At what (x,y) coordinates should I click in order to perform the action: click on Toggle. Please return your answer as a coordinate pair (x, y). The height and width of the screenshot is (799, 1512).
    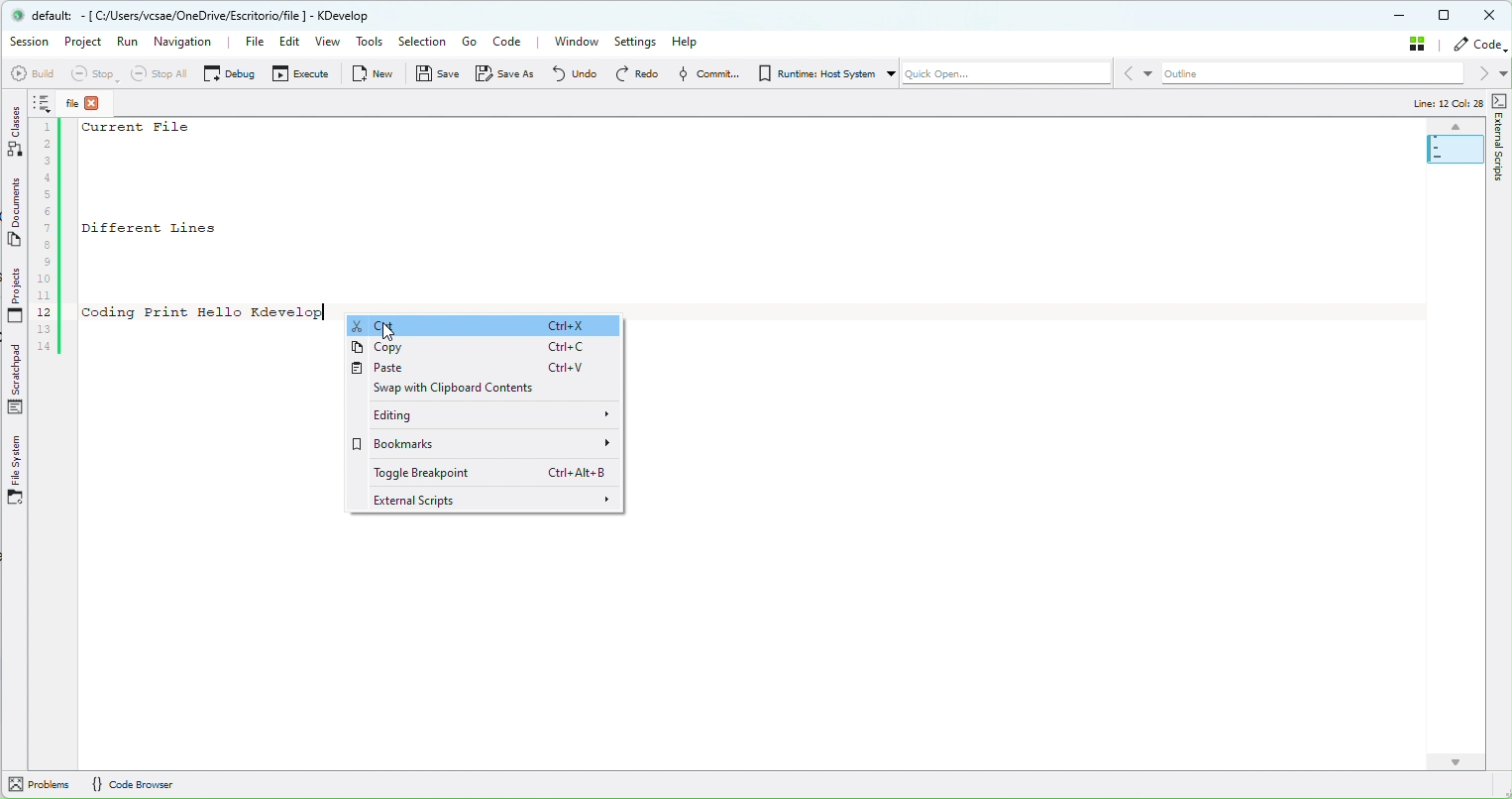
    Looking at the image, I should click on (487, 474).